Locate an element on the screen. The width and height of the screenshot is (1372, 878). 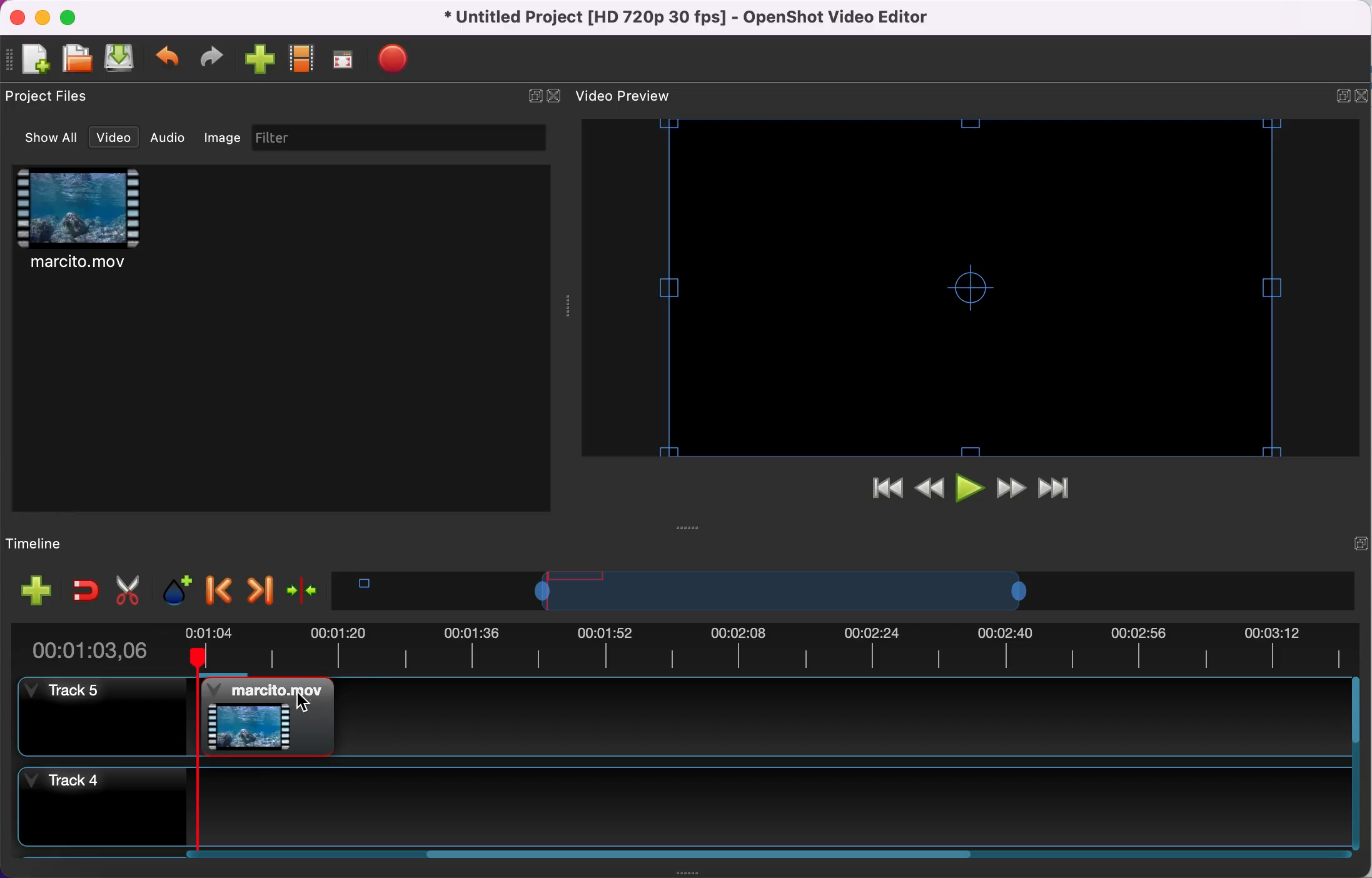
scroll bar is located at coordinates (722, 856).